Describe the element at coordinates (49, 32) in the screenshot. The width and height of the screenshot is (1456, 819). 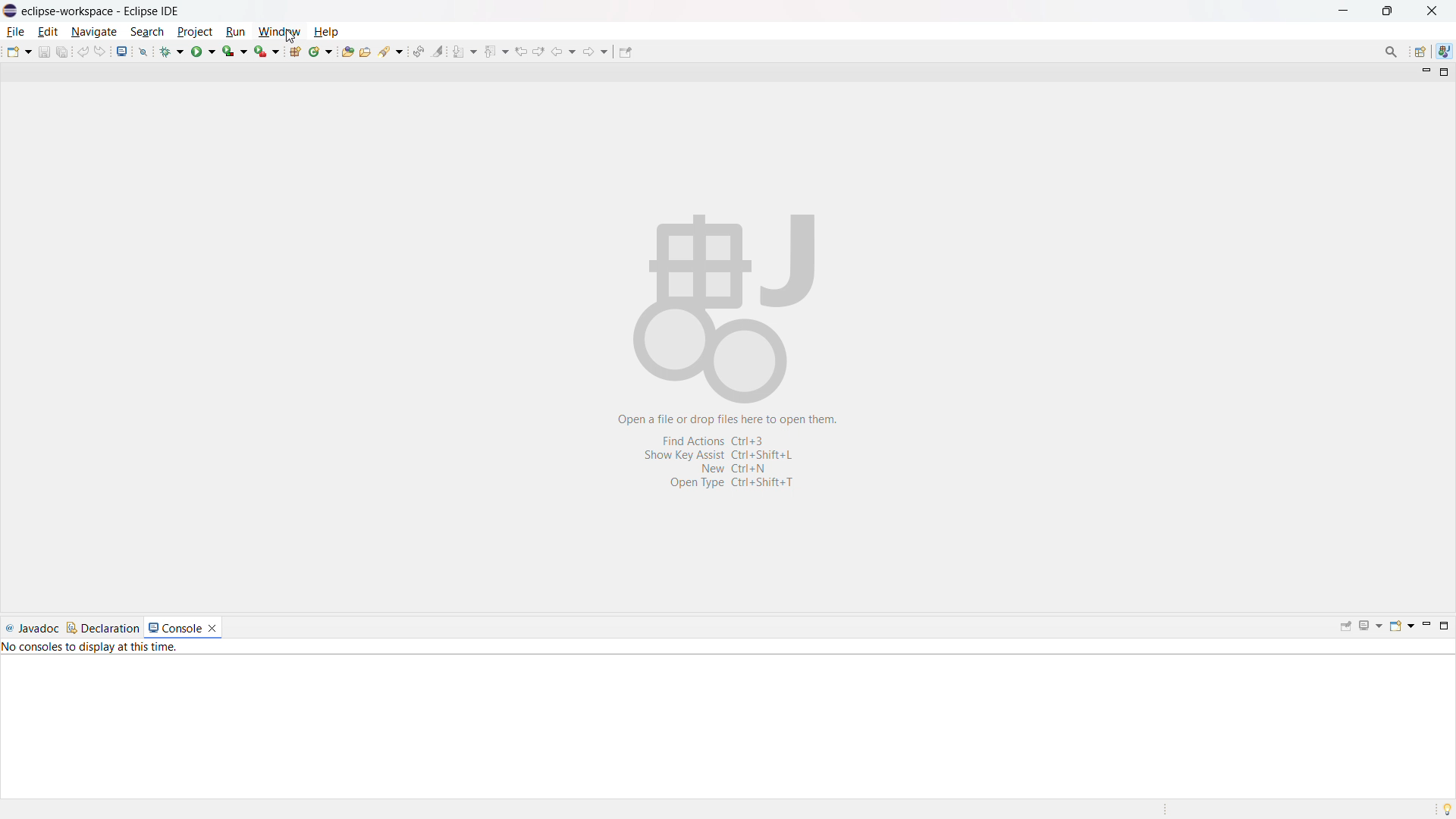
I see `edit` at that location.